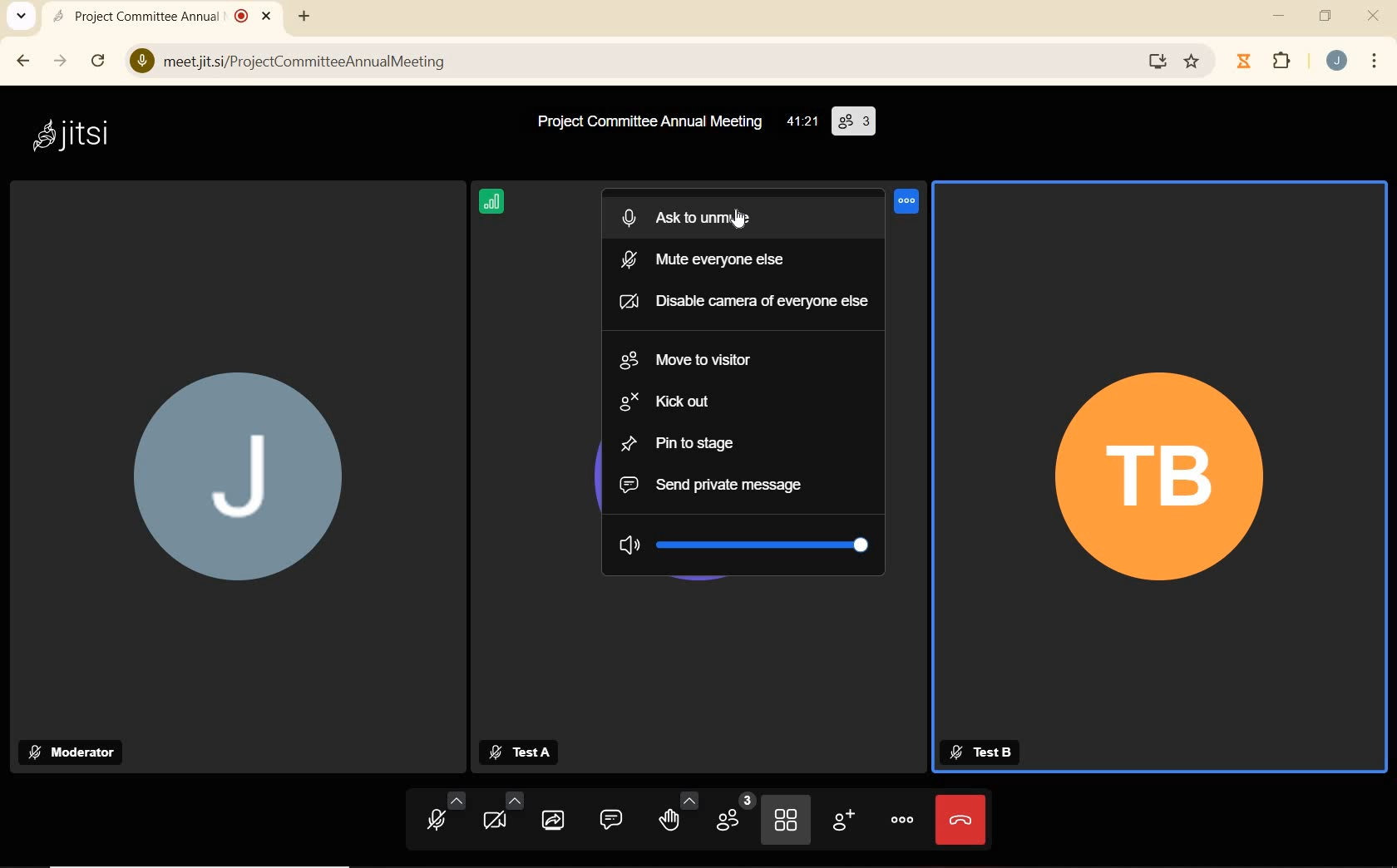  Describe the element at coordinates (1336, 62) in the screenshot. I see `ACCOUNT` at that location.